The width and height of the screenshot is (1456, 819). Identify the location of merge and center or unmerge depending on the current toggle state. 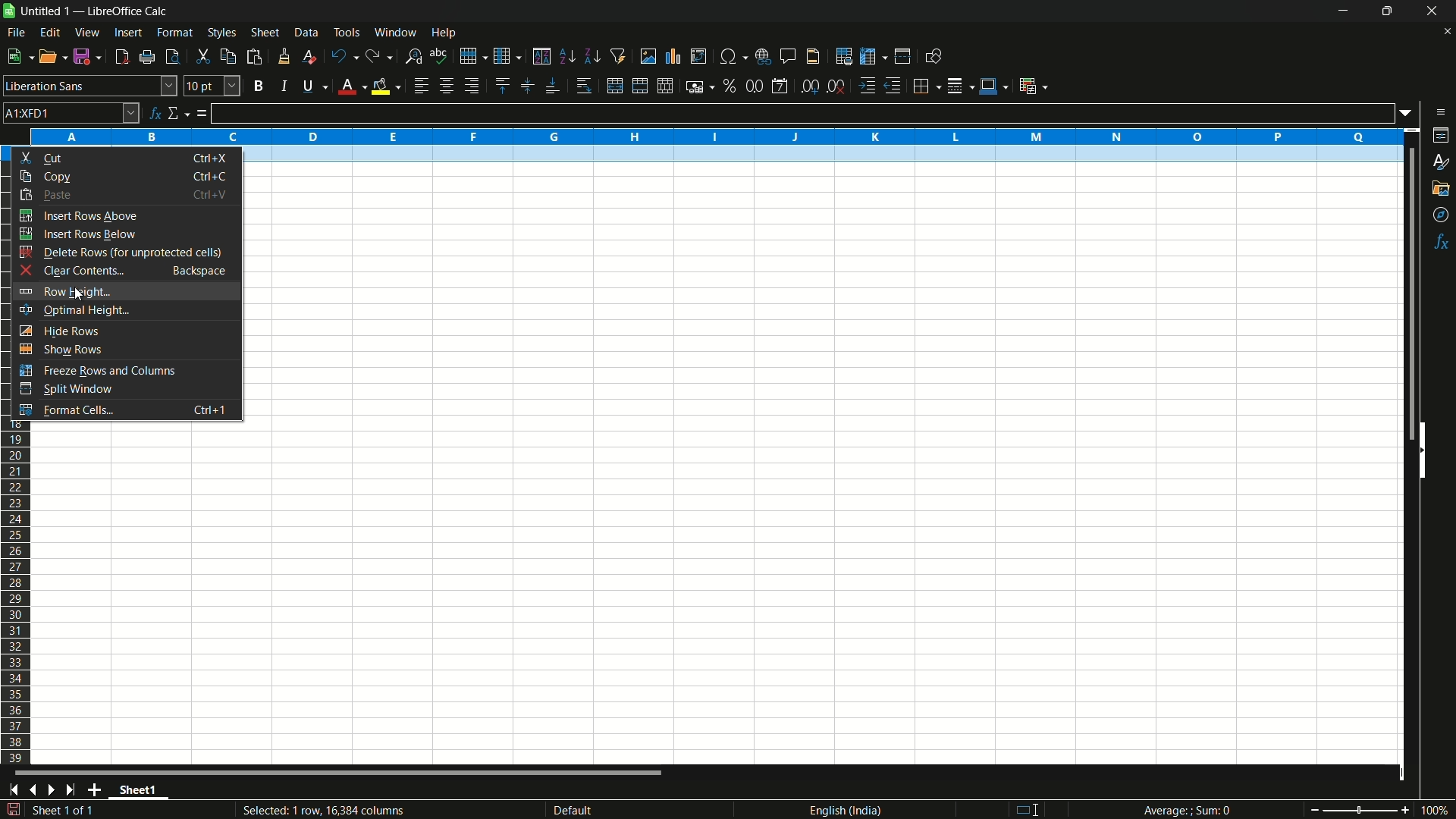
(613, 86).